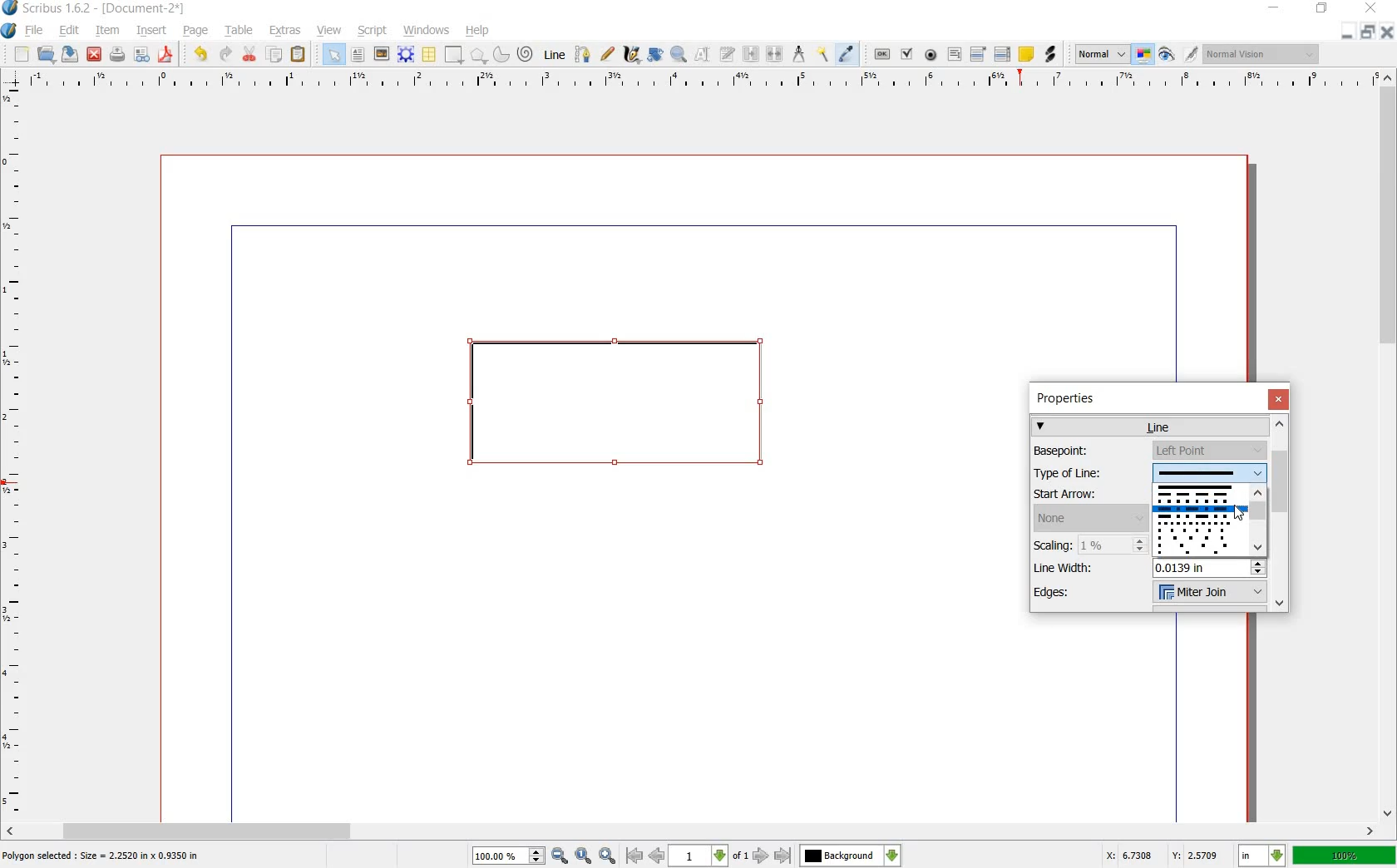 The image size is (1397, 868). Describe the element at coordinates (1281, 513) in the screenshot. I see `scrollbar` at that location.